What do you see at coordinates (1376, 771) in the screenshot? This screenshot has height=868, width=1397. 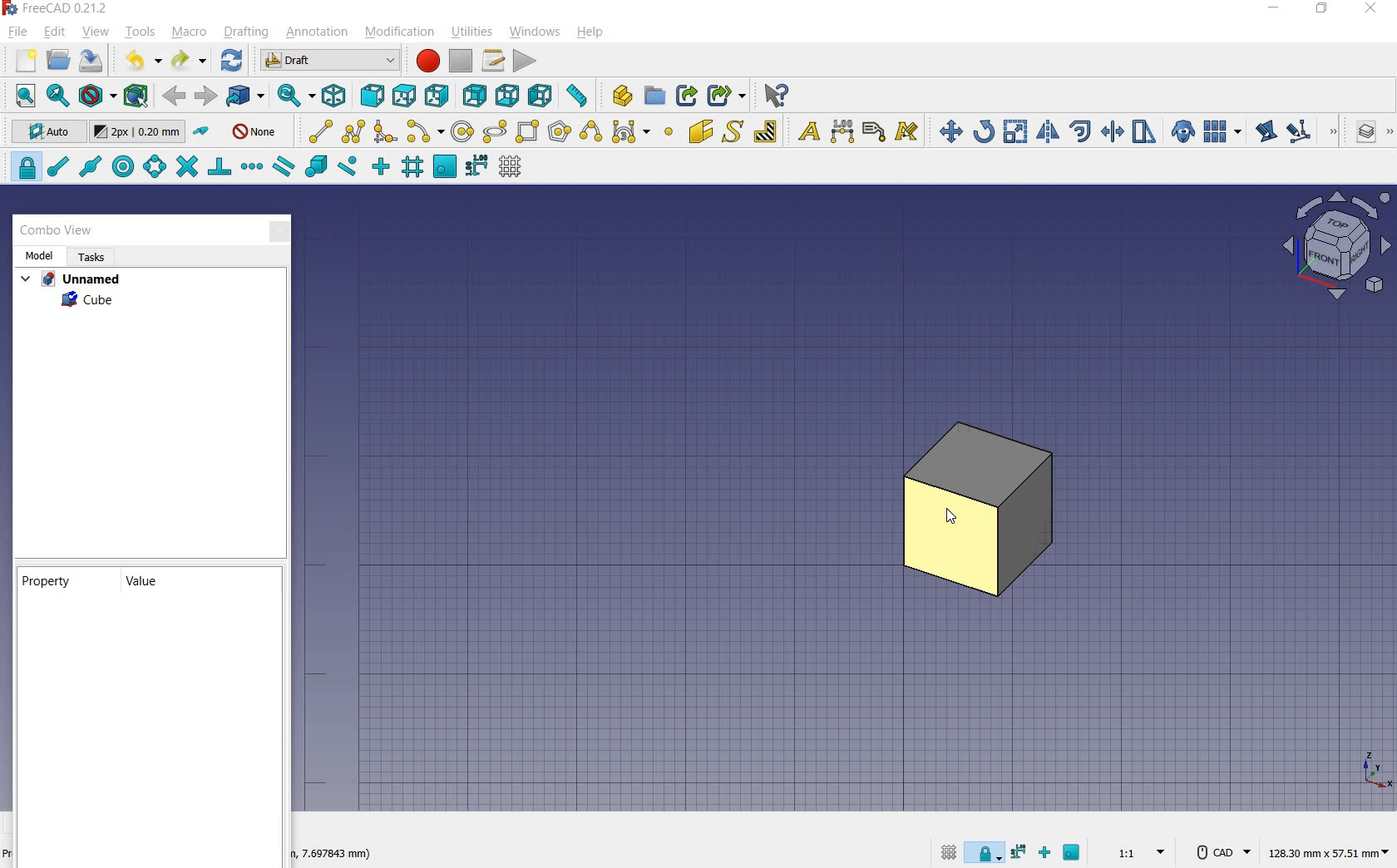 I see `xyz point` at bounding box center [1376, 771].